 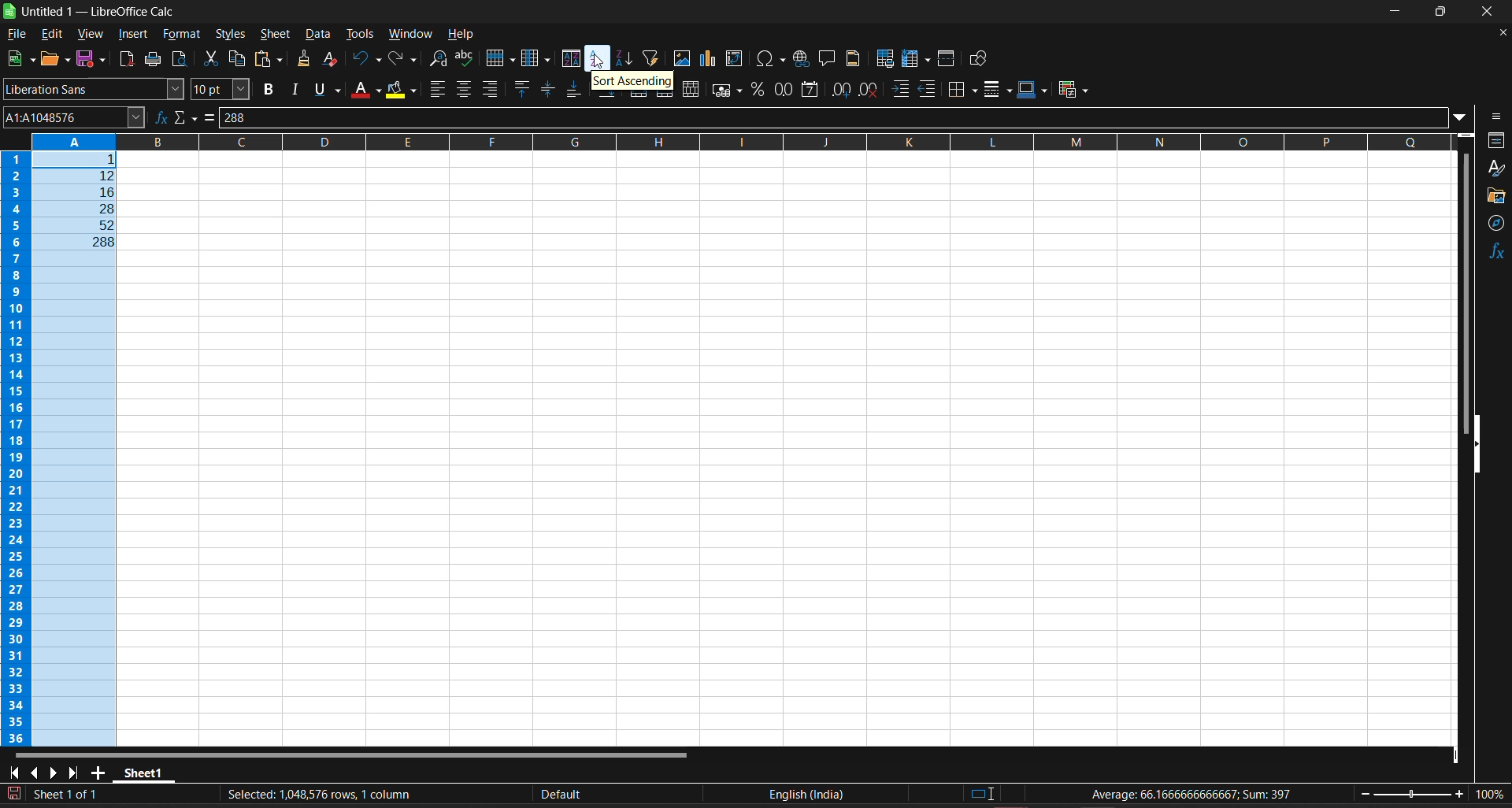 I want to click on function wizard, so click(x=158, y=118).